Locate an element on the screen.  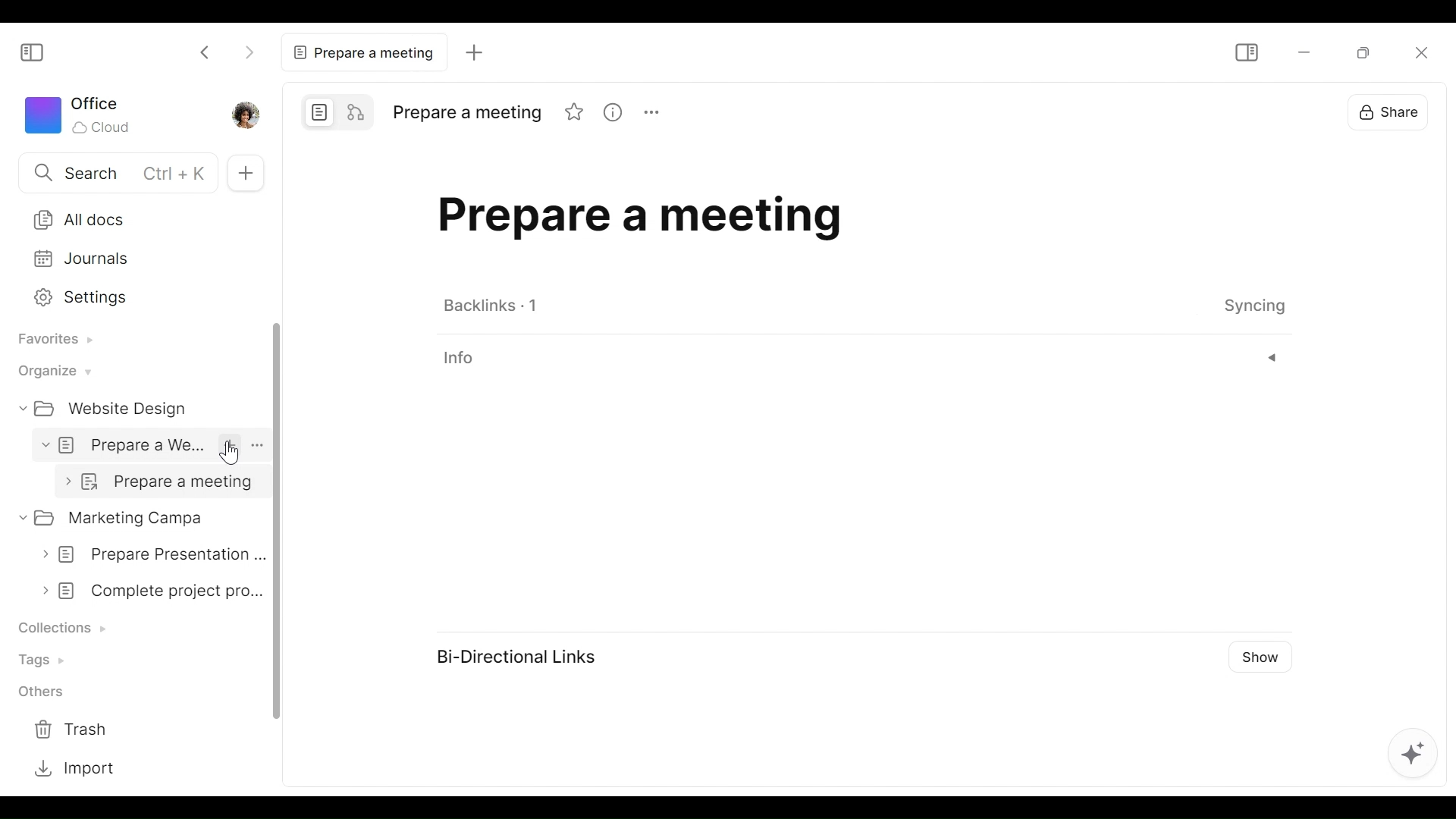
Profile Photo is located at coordinates (244, 114).